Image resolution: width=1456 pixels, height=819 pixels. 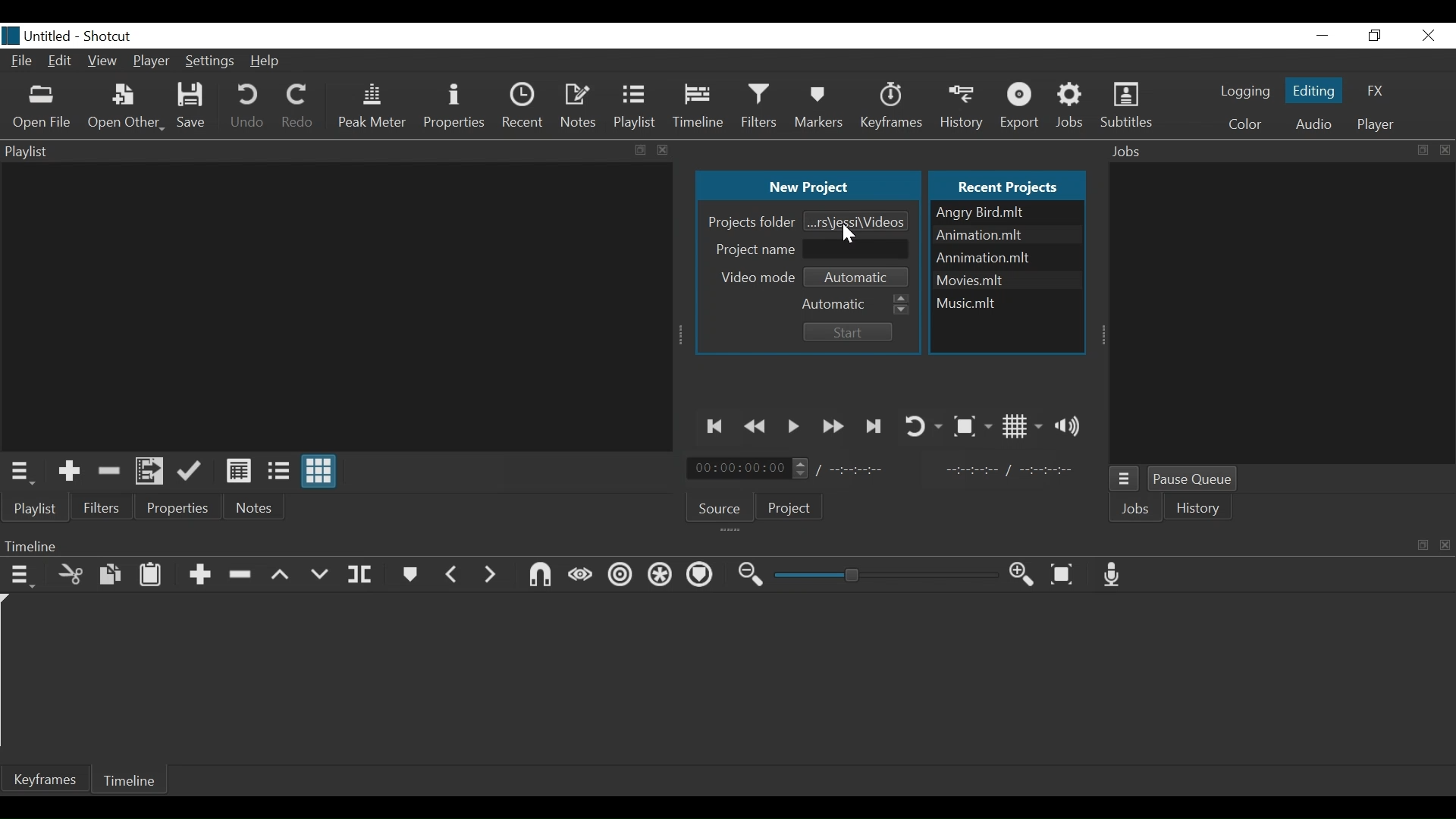 I want to click on Clip Thumbnail, so click(x=332, y=306).